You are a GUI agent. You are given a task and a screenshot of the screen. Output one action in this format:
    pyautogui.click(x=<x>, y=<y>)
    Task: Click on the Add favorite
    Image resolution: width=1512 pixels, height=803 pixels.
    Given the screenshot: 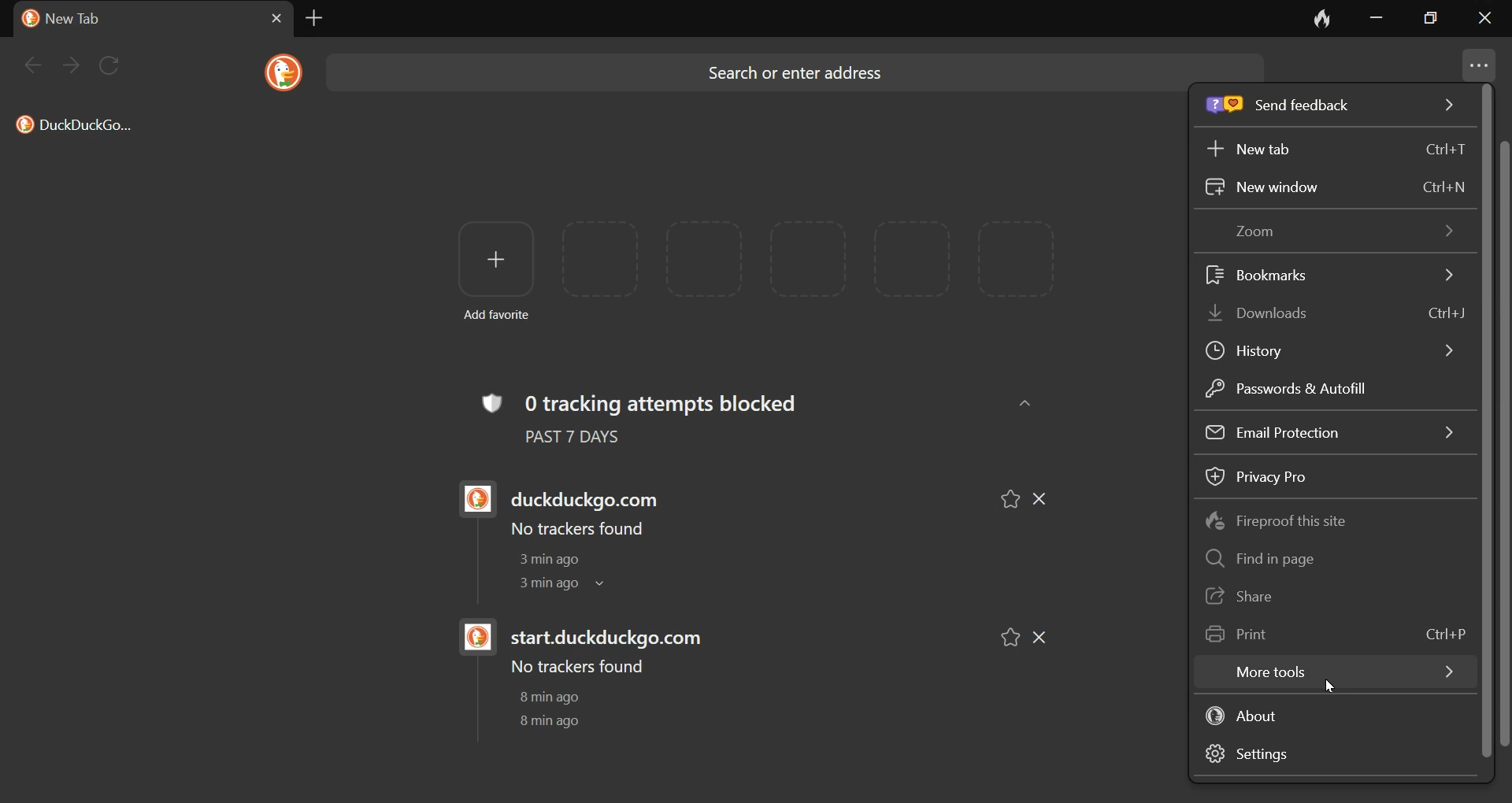 What is the action you would take?
    pyautogui.click(x=502, y=316)
    